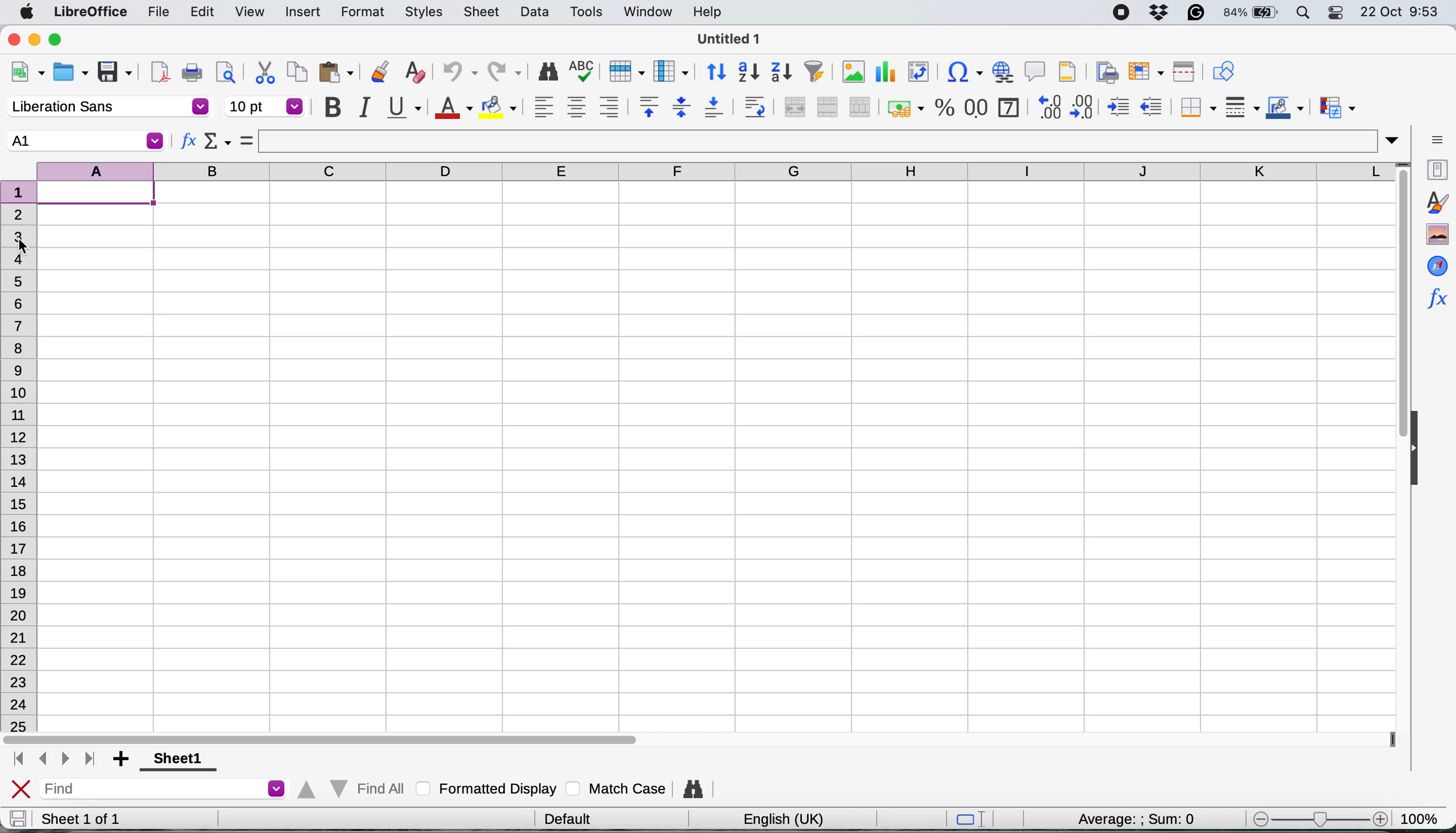 Image resolution: width=1456 pixels, height=833 pixels. I want to click on data, so click(537, 11).